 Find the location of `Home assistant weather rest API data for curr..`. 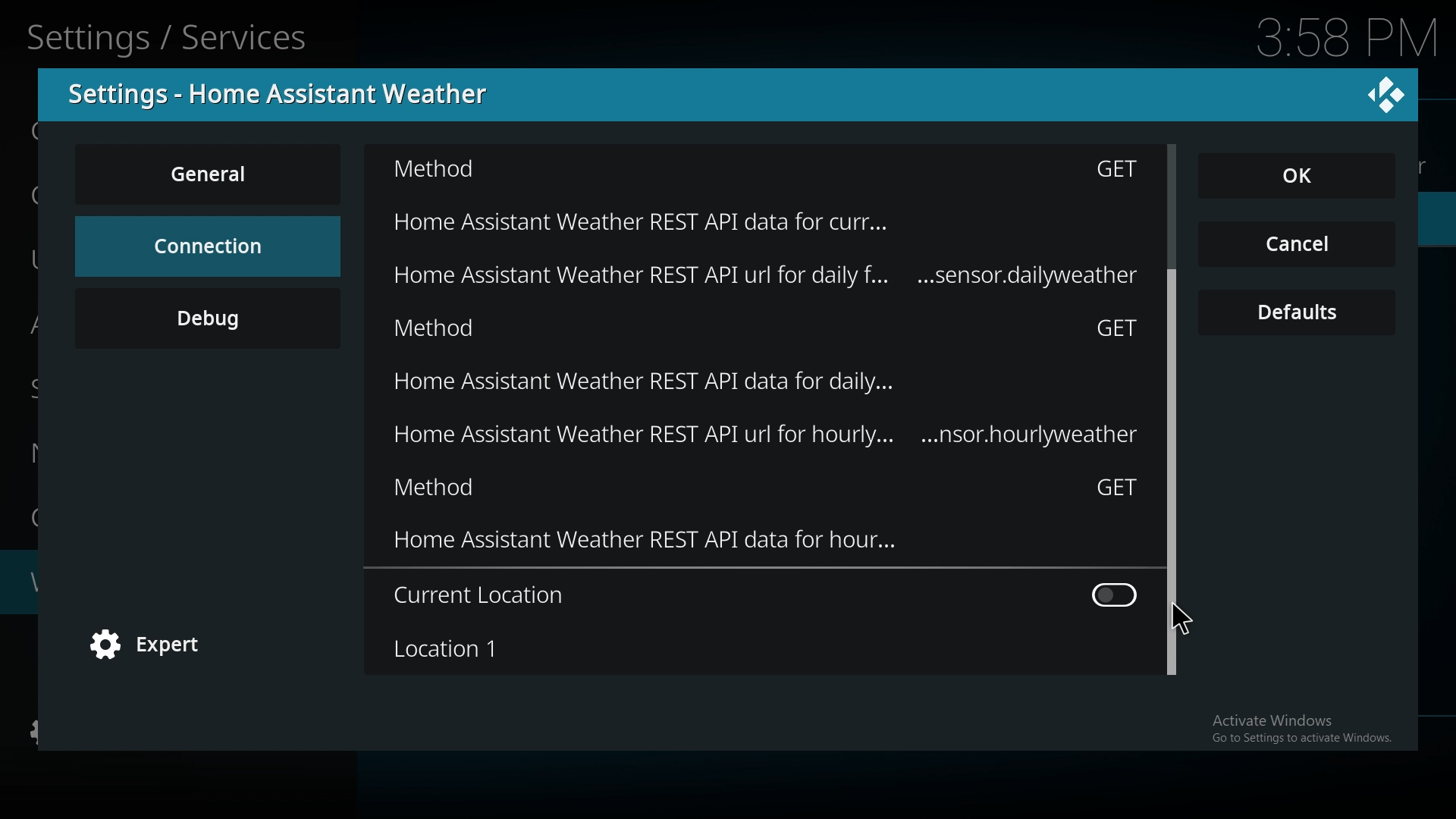

Home assistant weather rest API data for curr.. is located at coordinates (744, 219).